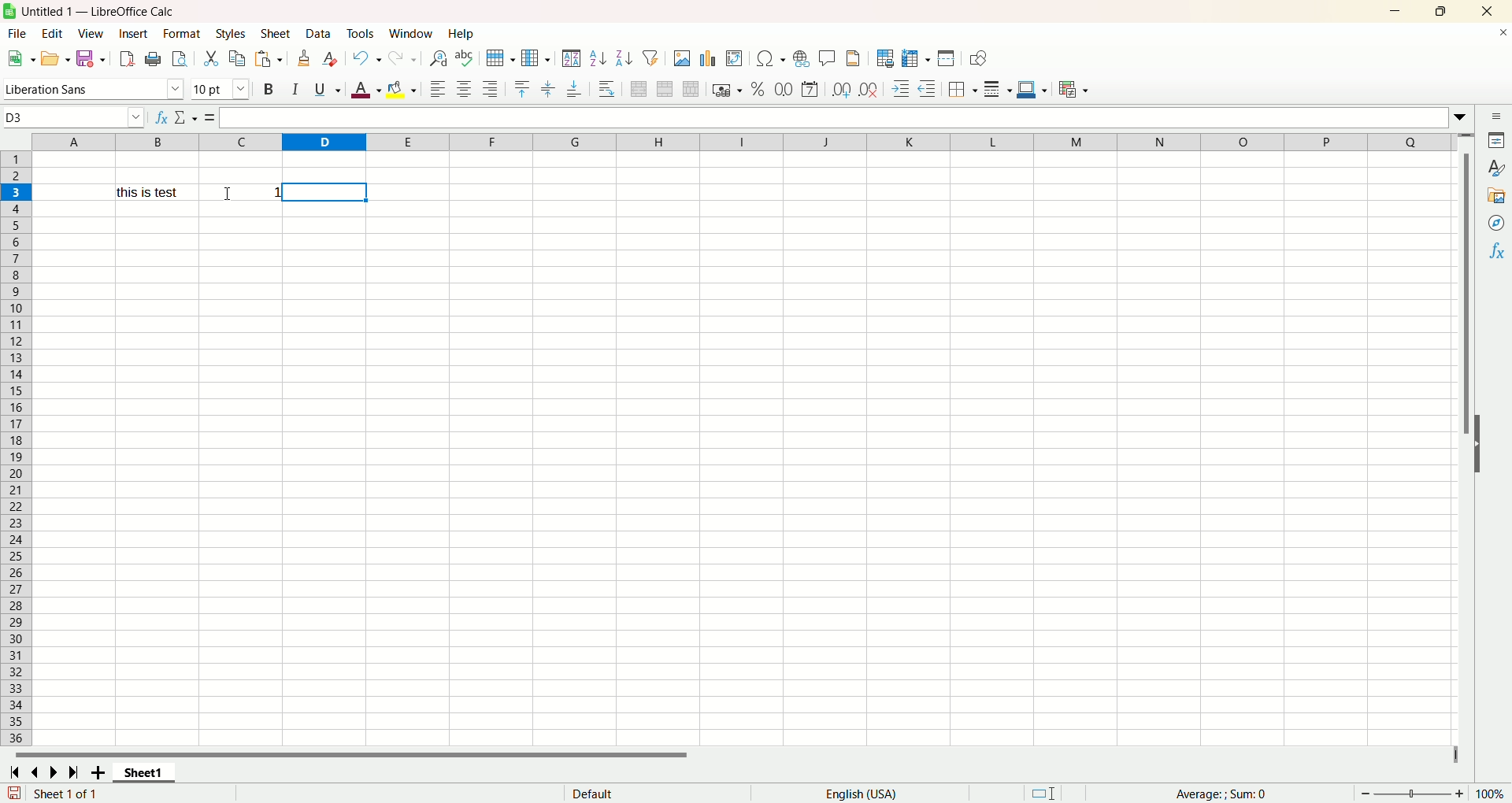 Image resolution: width=1512 pixels, height=803 pixels. Describe the element at coordinates (220, 89) in the screenshot. I see `font size` at that location.